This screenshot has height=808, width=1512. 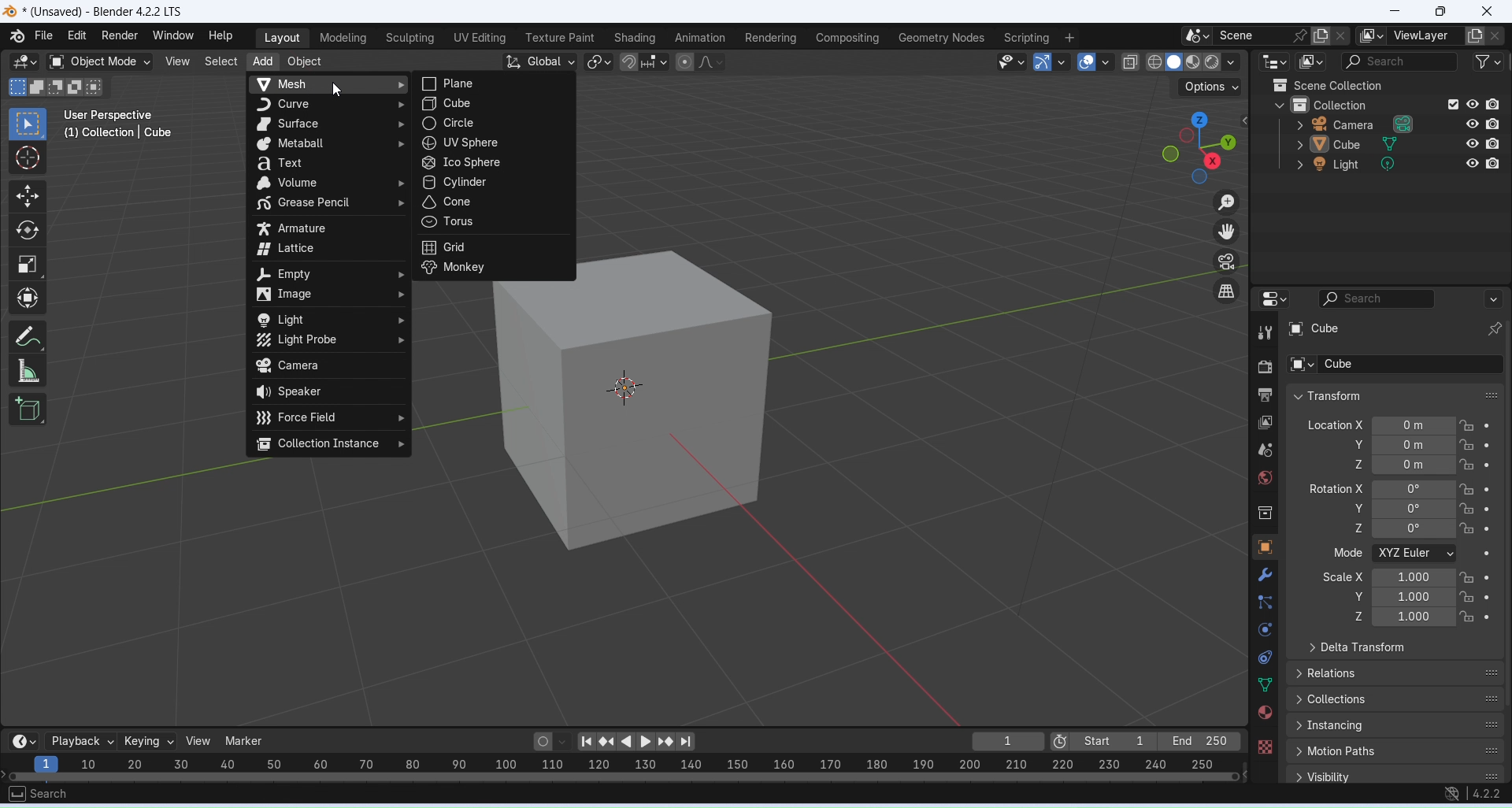 What do you see at coordinates (1325, 85) in the screenshot?
I see `Scene collection` at bounding box center [1325, 85].